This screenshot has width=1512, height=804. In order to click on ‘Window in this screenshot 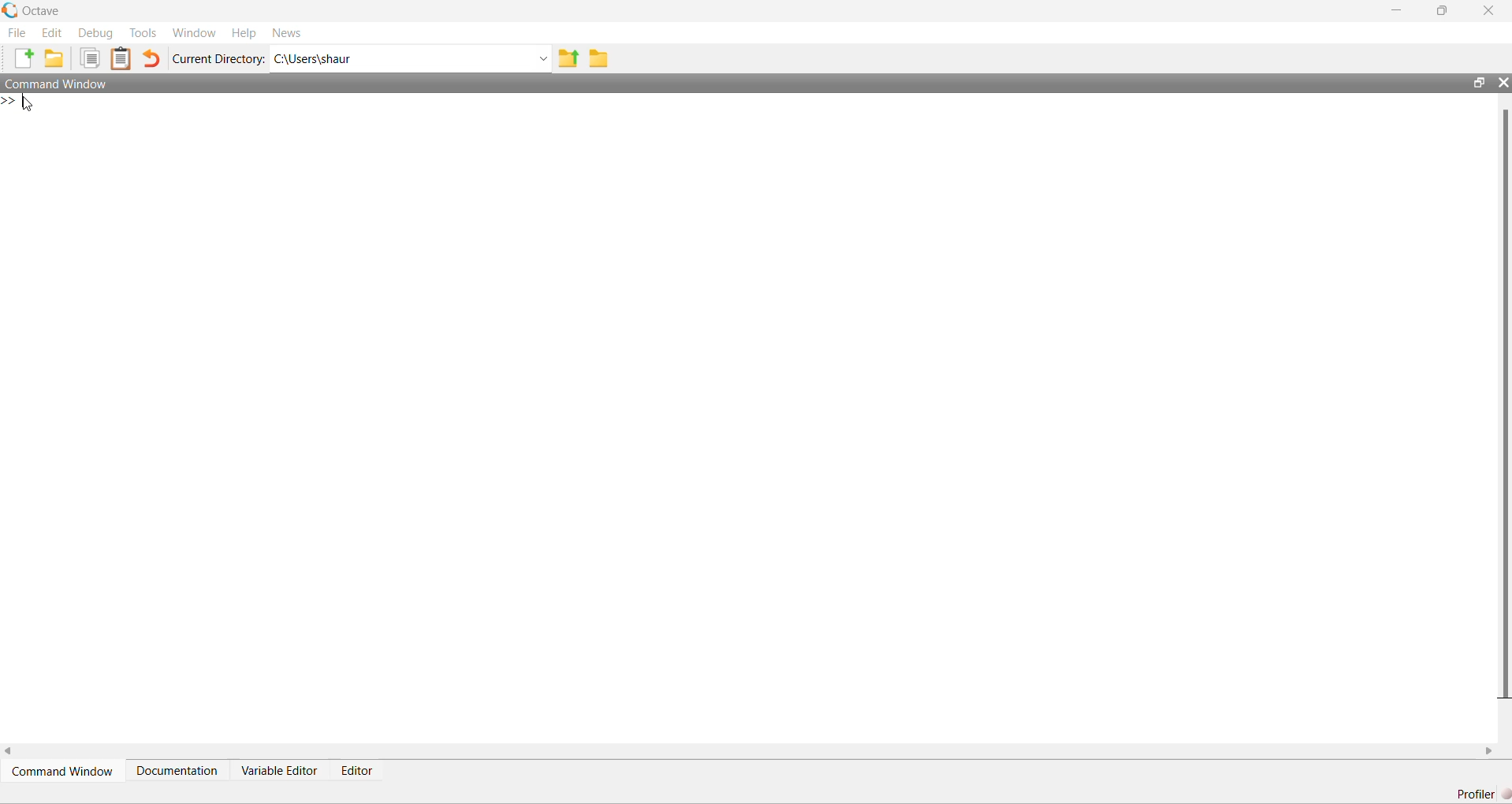, I will do `click(195, 33)`.